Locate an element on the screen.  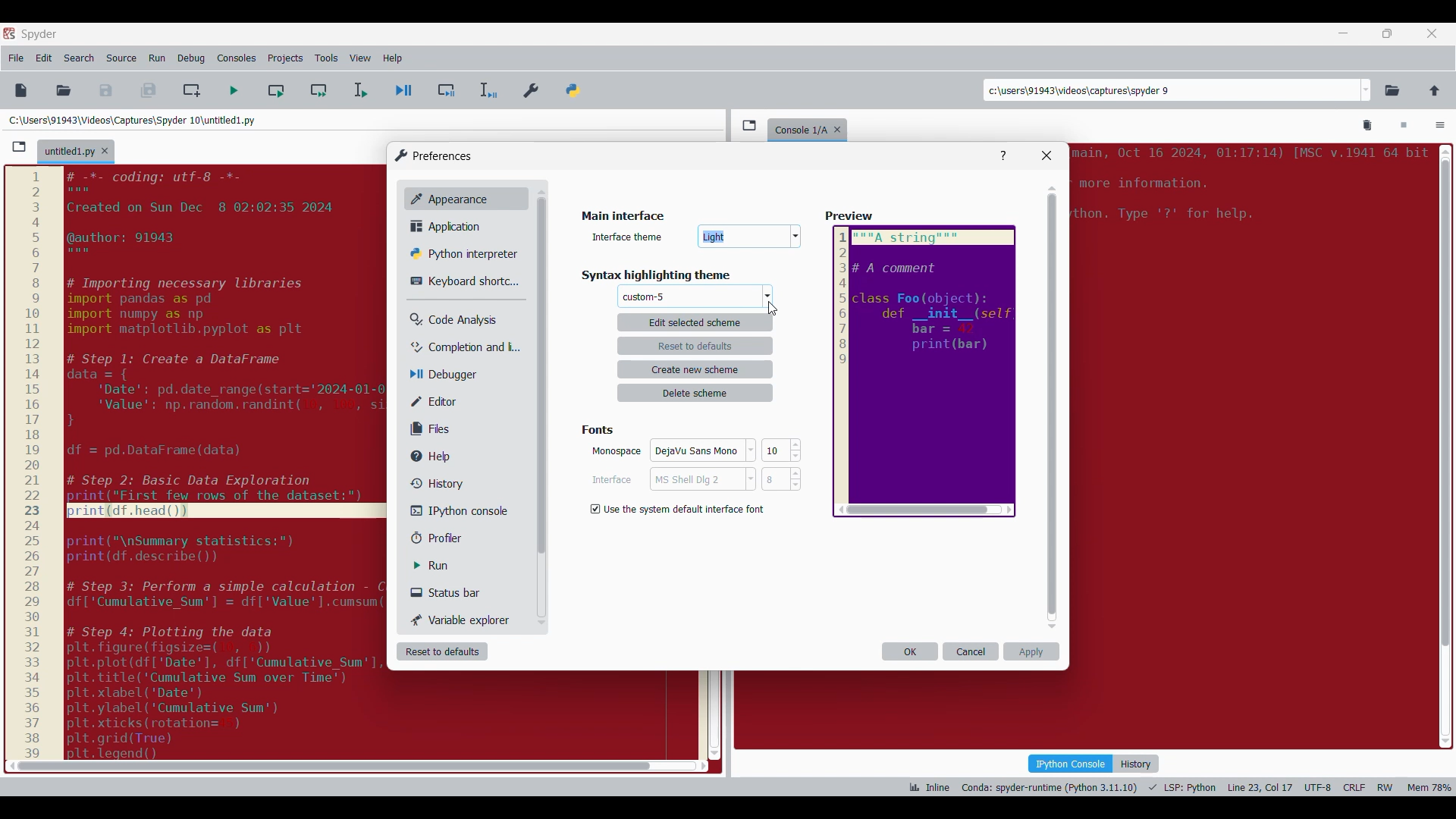
Debug selection/current line is located at coordinates (487, 90).